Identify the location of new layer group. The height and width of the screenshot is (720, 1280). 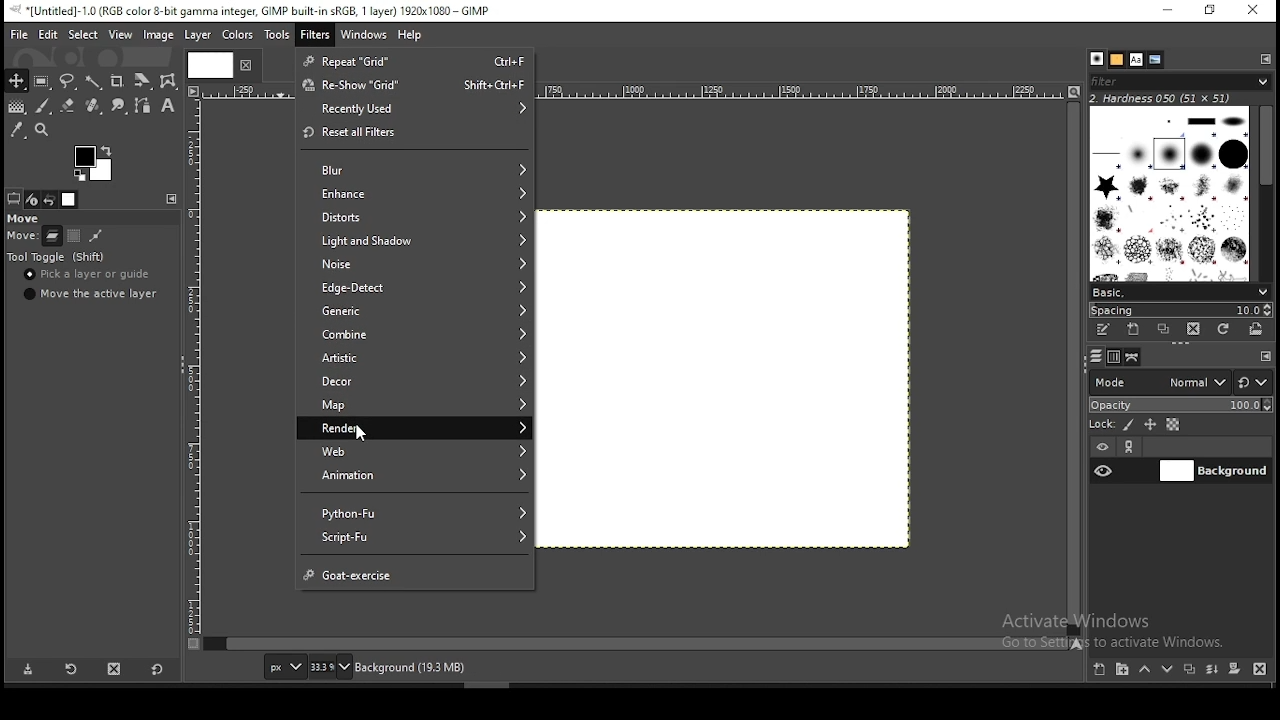
(1126, 669).